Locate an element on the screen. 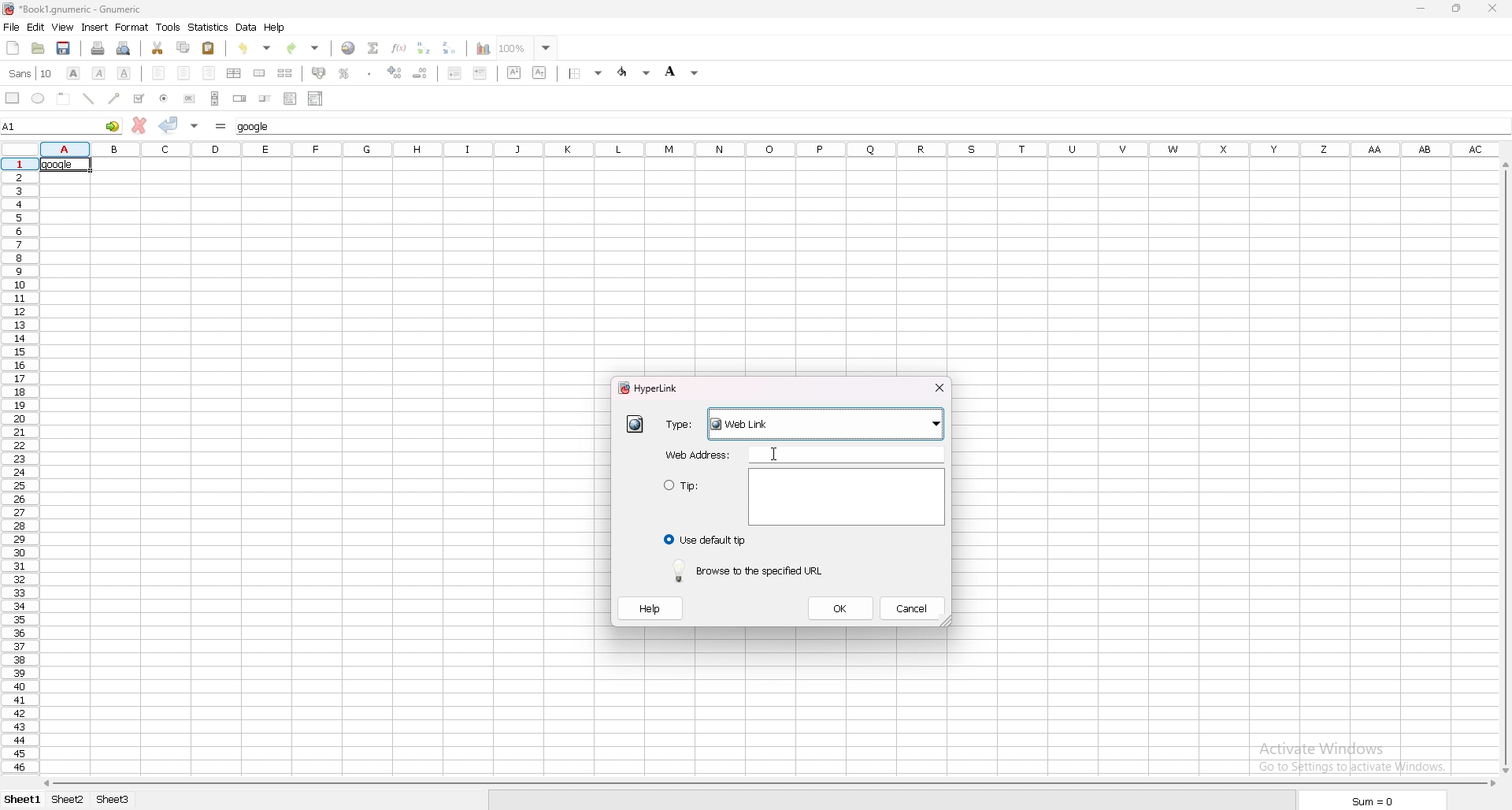 The image size is (1512, 810). resize is located at coordinates (1458, 8).